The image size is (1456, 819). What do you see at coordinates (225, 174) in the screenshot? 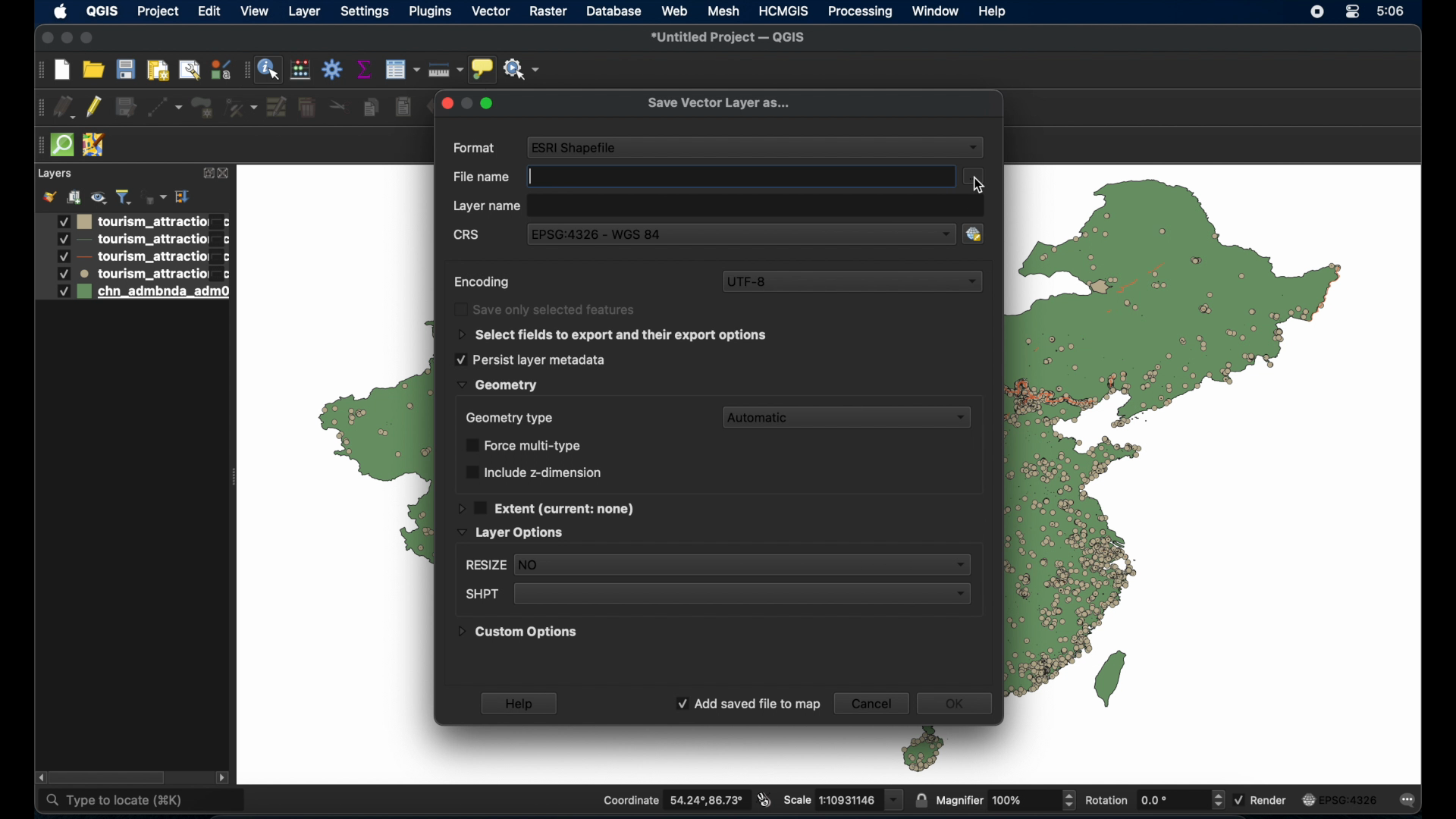
I see `close` at bounding box center [225, 174].